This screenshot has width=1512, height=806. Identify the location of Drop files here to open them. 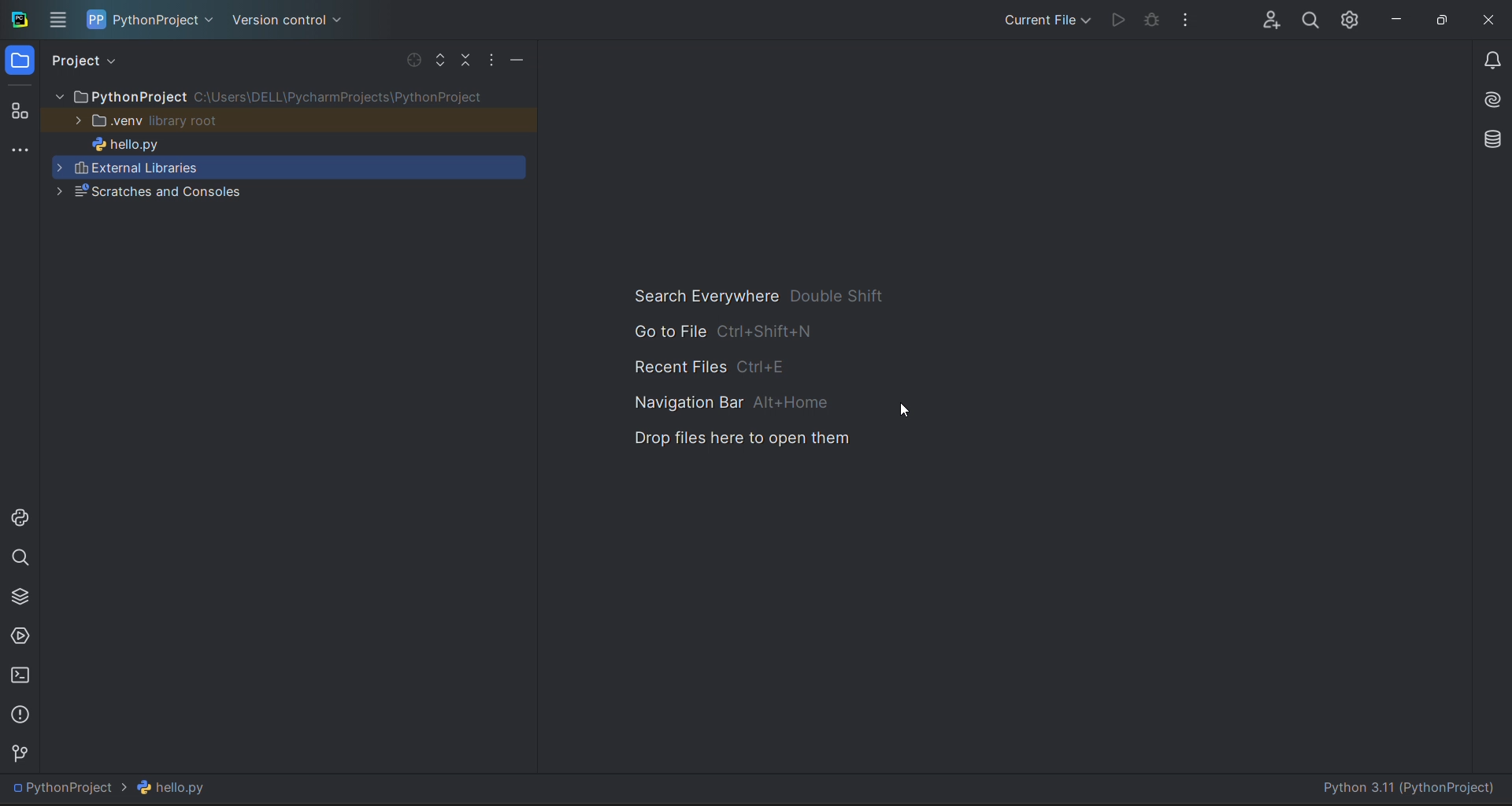
(734, 442).